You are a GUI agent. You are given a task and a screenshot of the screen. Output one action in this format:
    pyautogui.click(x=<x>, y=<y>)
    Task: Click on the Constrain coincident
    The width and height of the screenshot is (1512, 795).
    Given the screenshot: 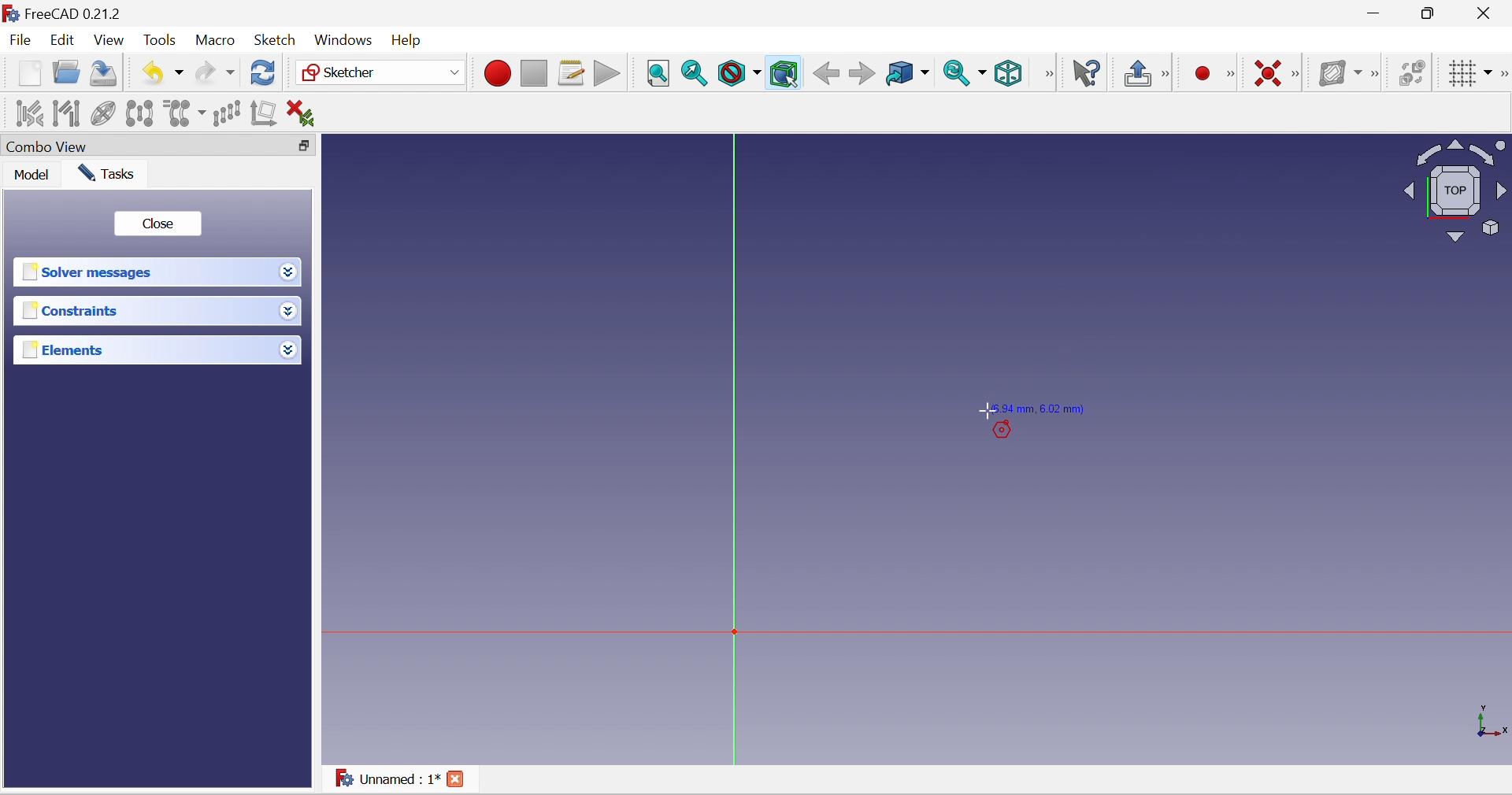 What is the action you would take?
    pyautogui.click(x=1269, y=74)
    